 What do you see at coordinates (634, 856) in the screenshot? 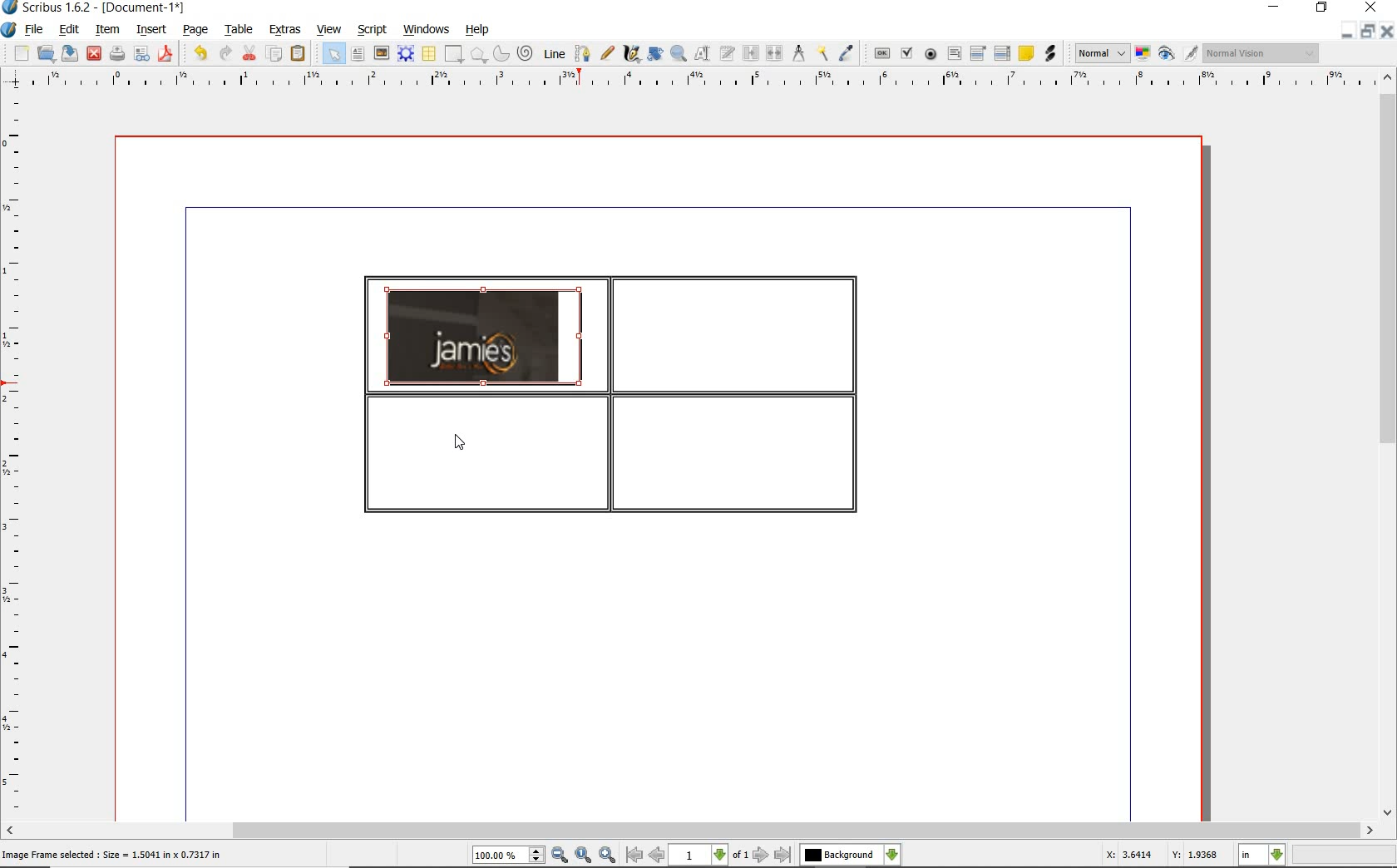
I see `go to first page` at bounding box center [634, 856].